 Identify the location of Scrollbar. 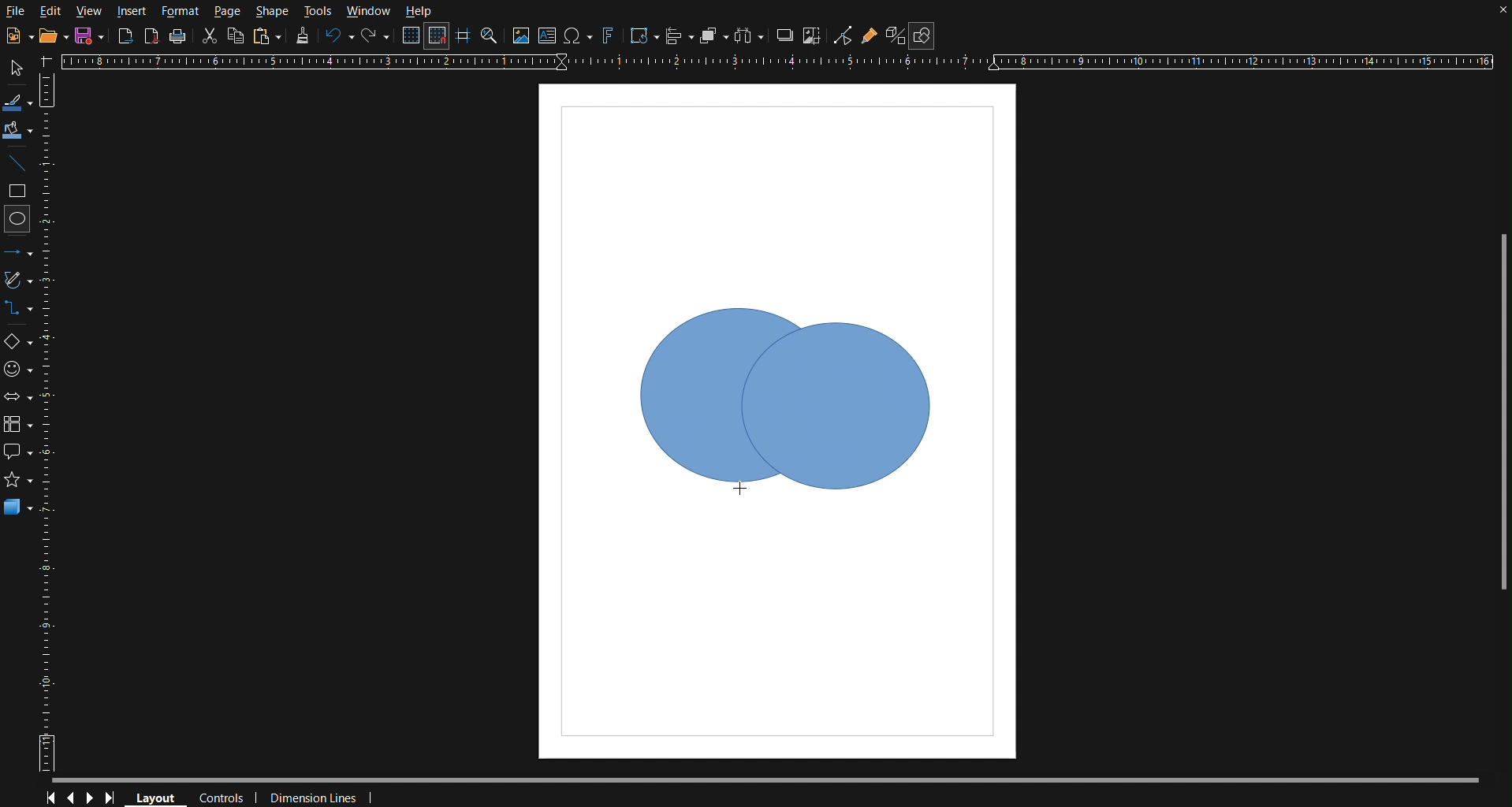
(1497, 407).